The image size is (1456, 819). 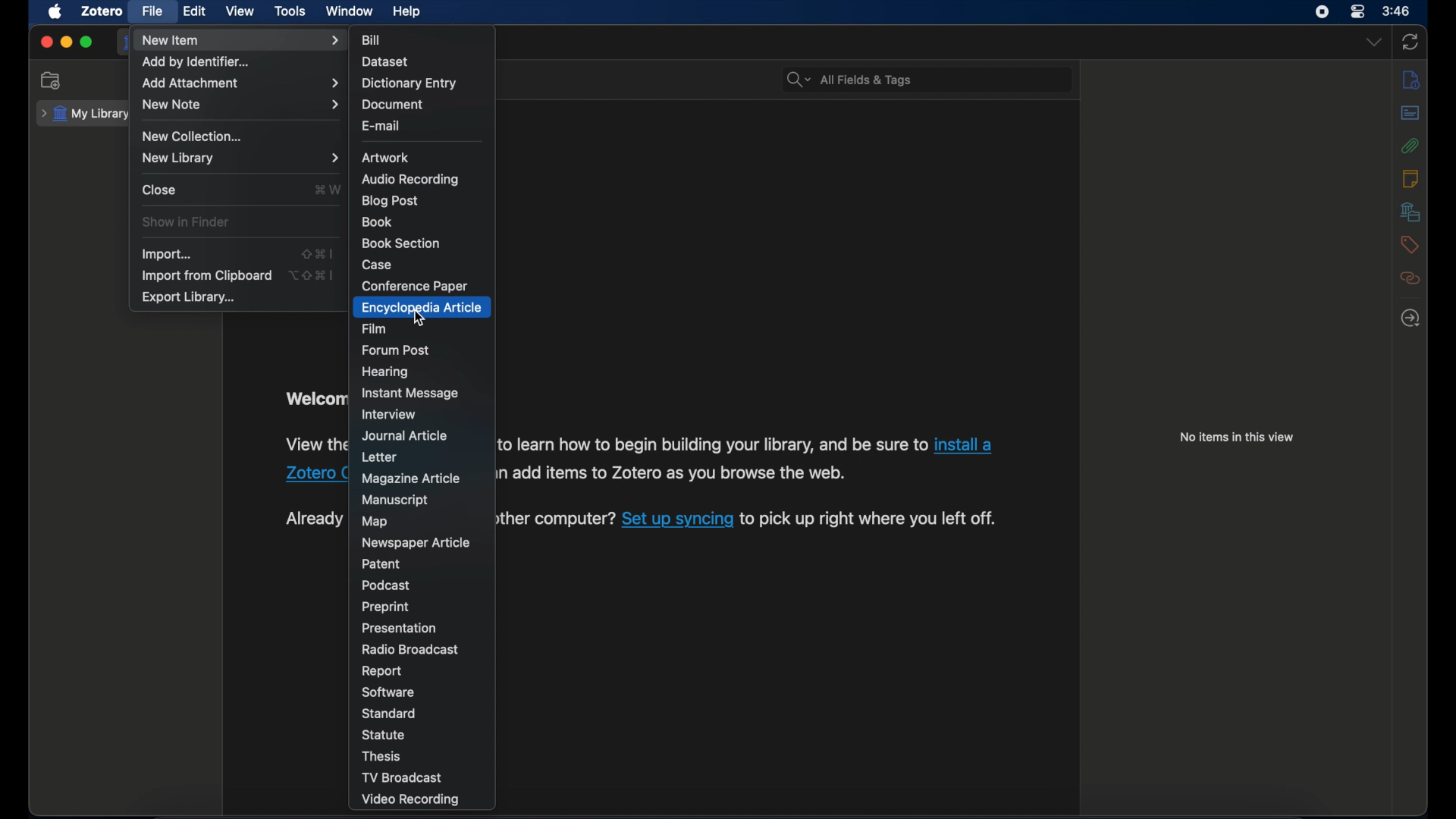 I want to click on edit, so click(x=194, y=12).